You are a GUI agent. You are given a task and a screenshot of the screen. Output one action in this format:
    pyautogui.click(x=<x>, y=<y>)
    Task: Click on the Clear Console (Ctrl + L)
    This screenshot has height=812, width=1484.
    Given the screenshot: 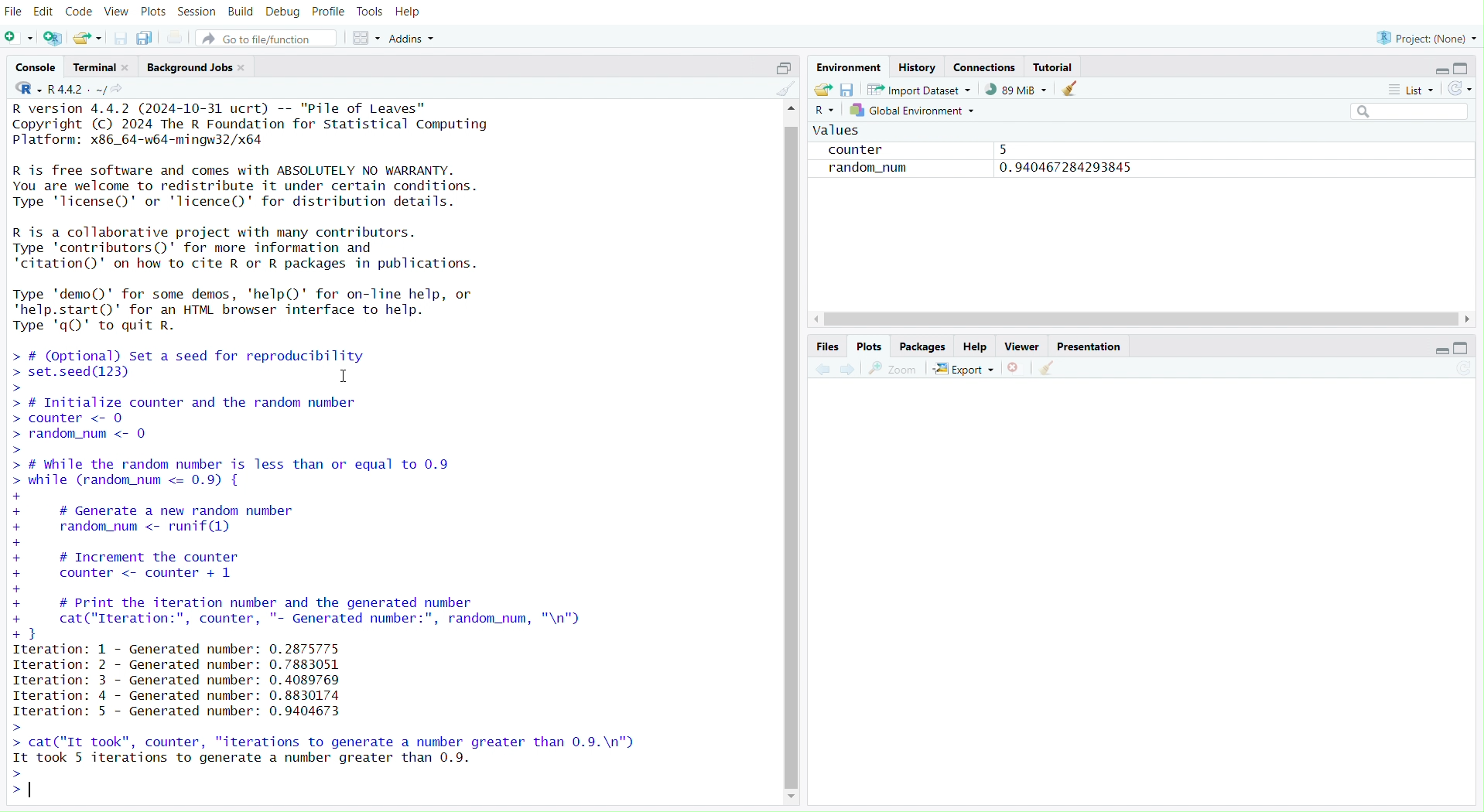 What is the action you would take?
    pyautogui.click(x=1050, y=366)
    